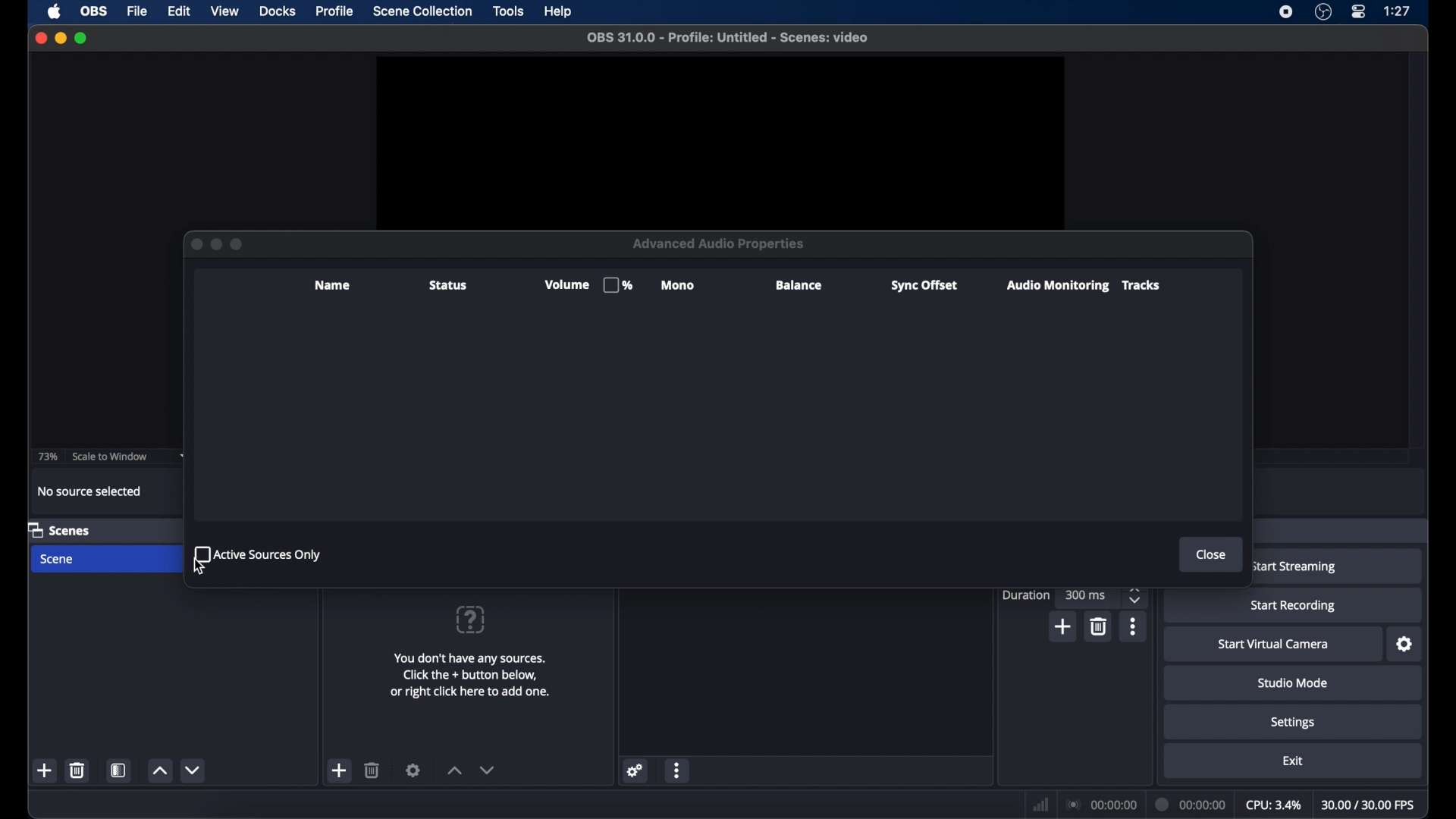 The height and width of the screenshot is (819, 1456). I want to click on active sources  only, so click(259, 553).